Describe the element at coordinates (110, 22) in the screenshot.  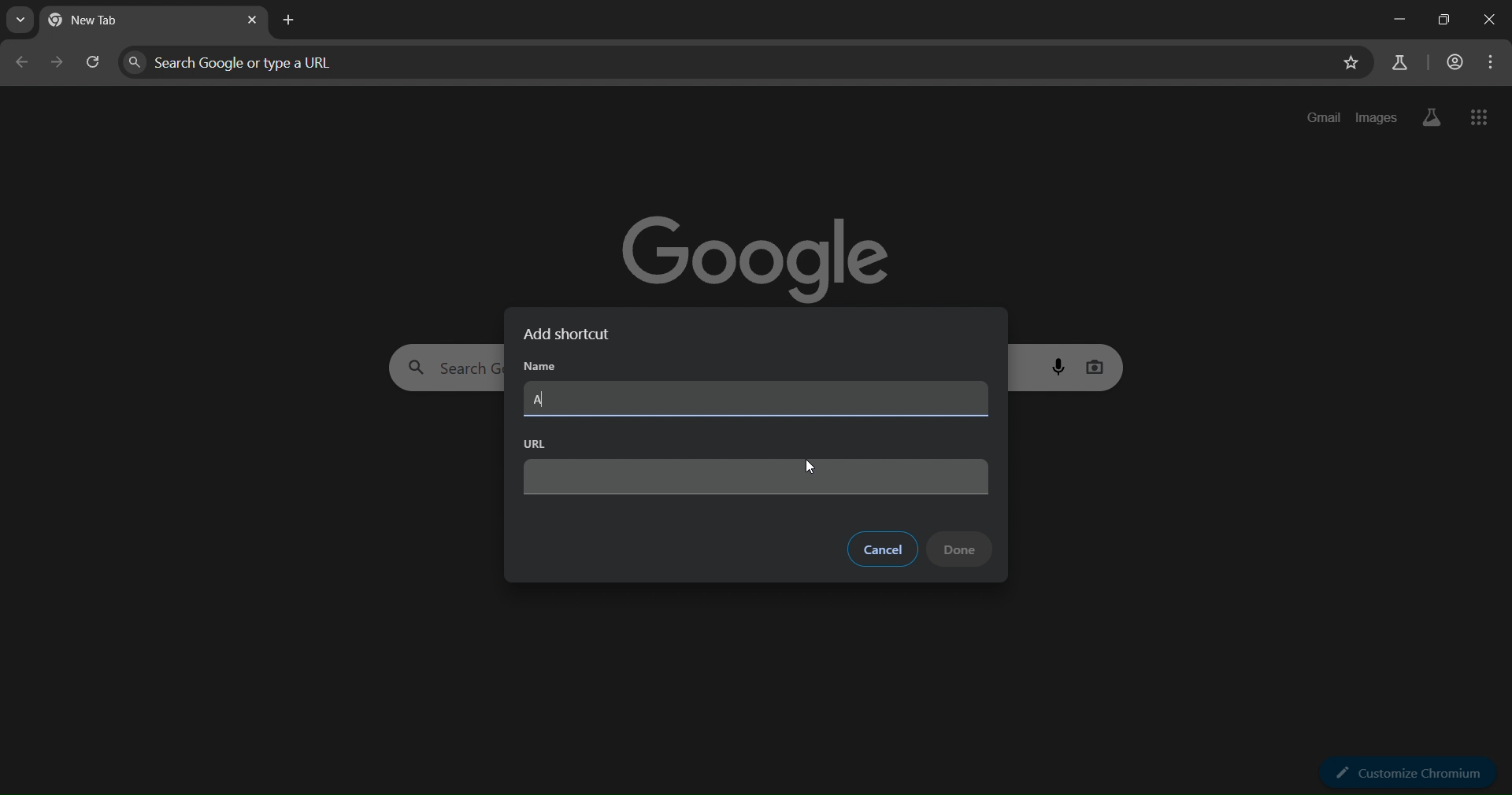
I see `current page` at that location.